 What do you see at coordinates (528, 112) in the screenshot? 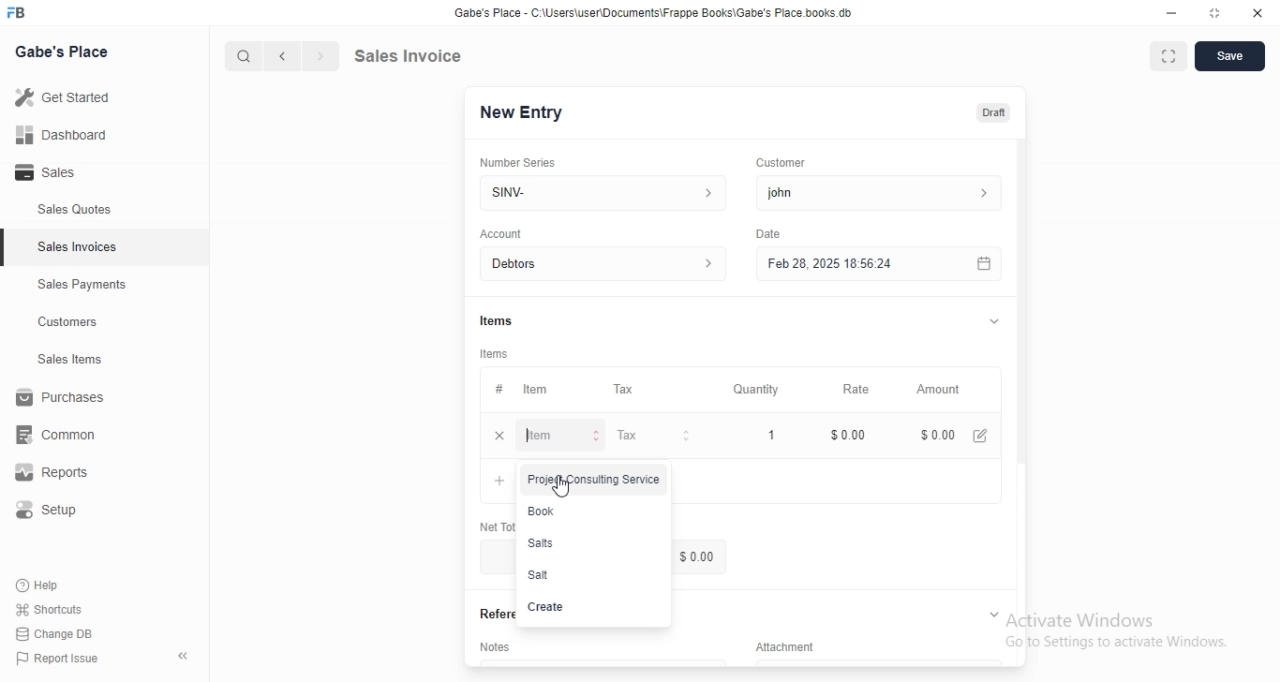
I see `New Entry` at bounding box center [528, 112].